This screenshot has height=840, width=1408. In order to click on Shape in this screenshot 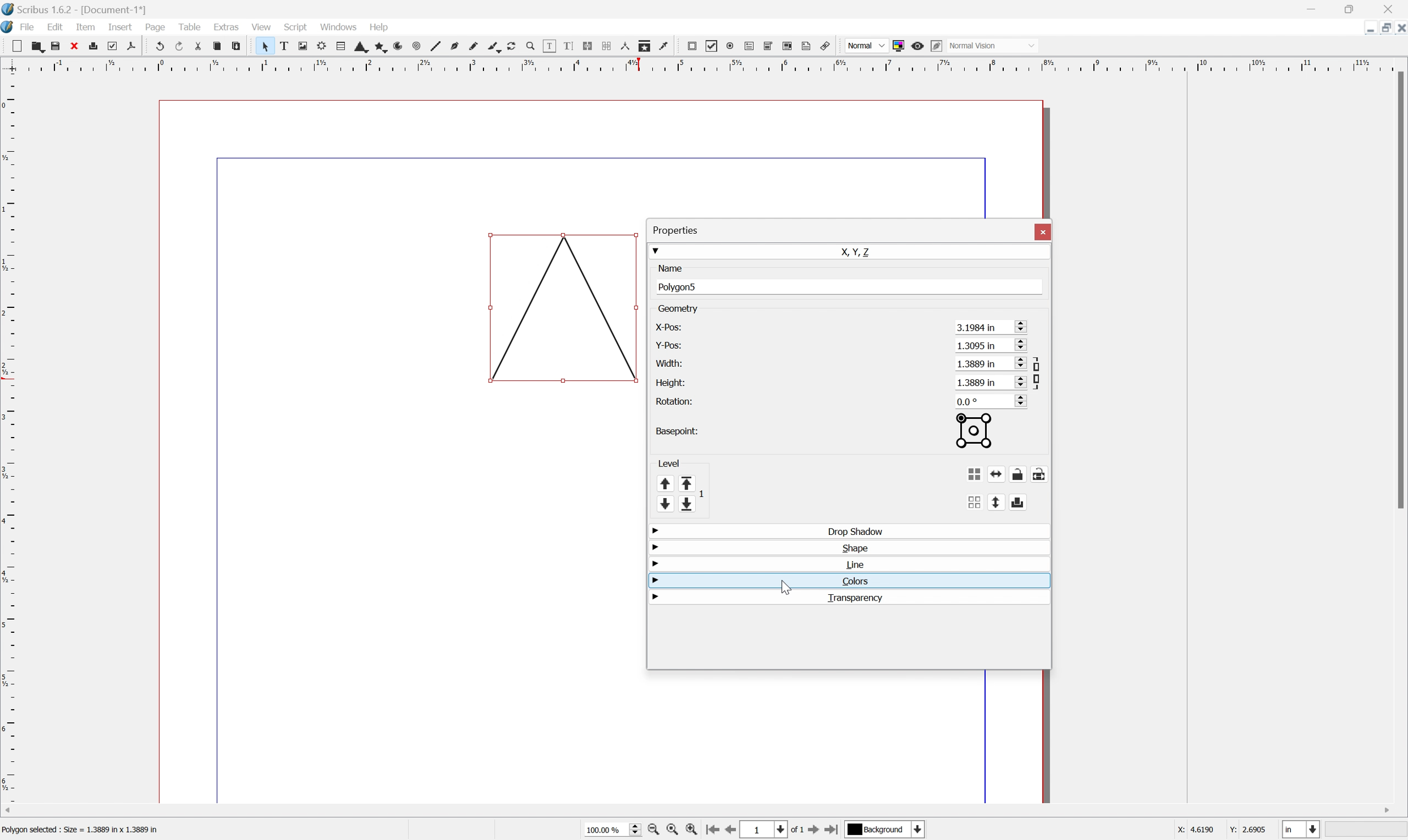, I will do `click(854, 547)`.